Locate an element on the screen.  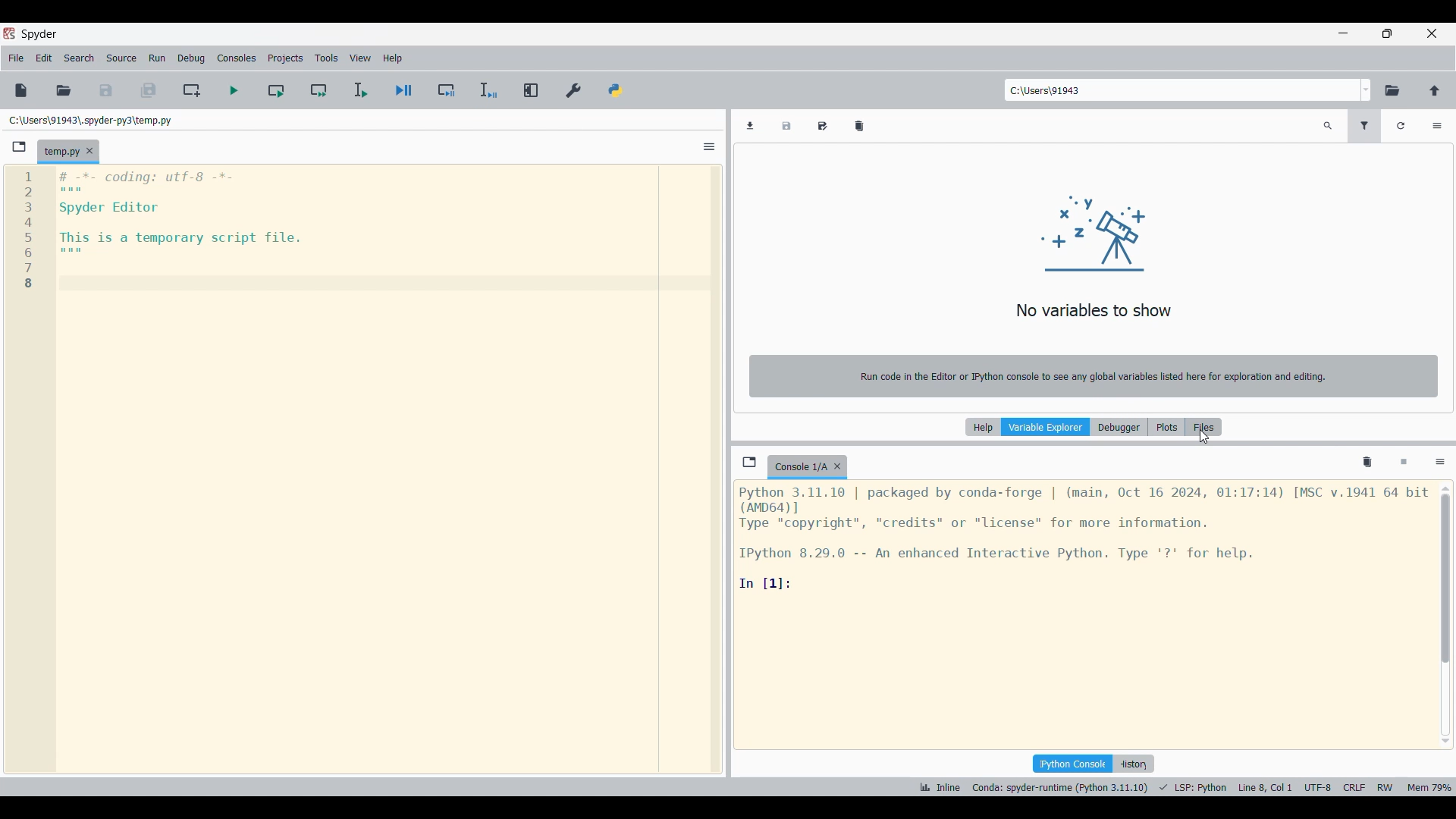
Close tab is located at coordinates (89, 151).